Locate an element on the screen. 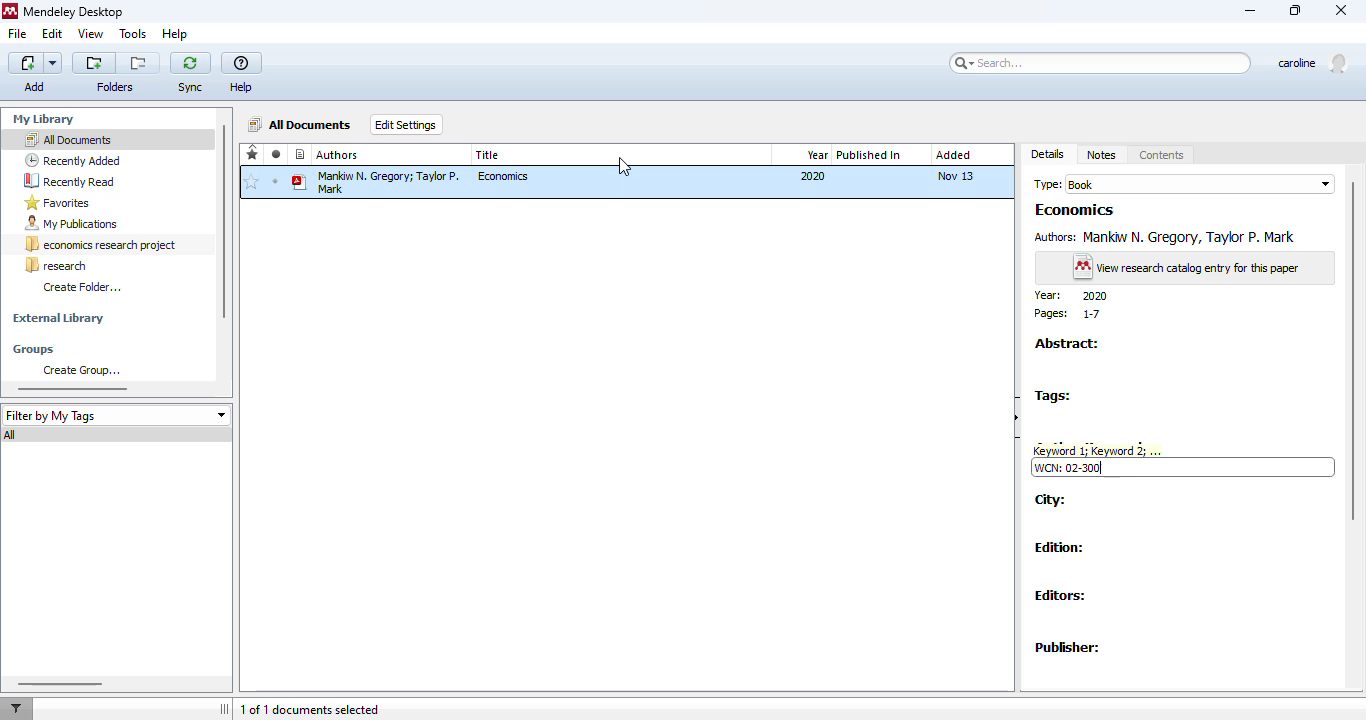 This screenshot has width=1366, height=720. filter documents by author, tag or publication. is located at coordinates (16, 709).